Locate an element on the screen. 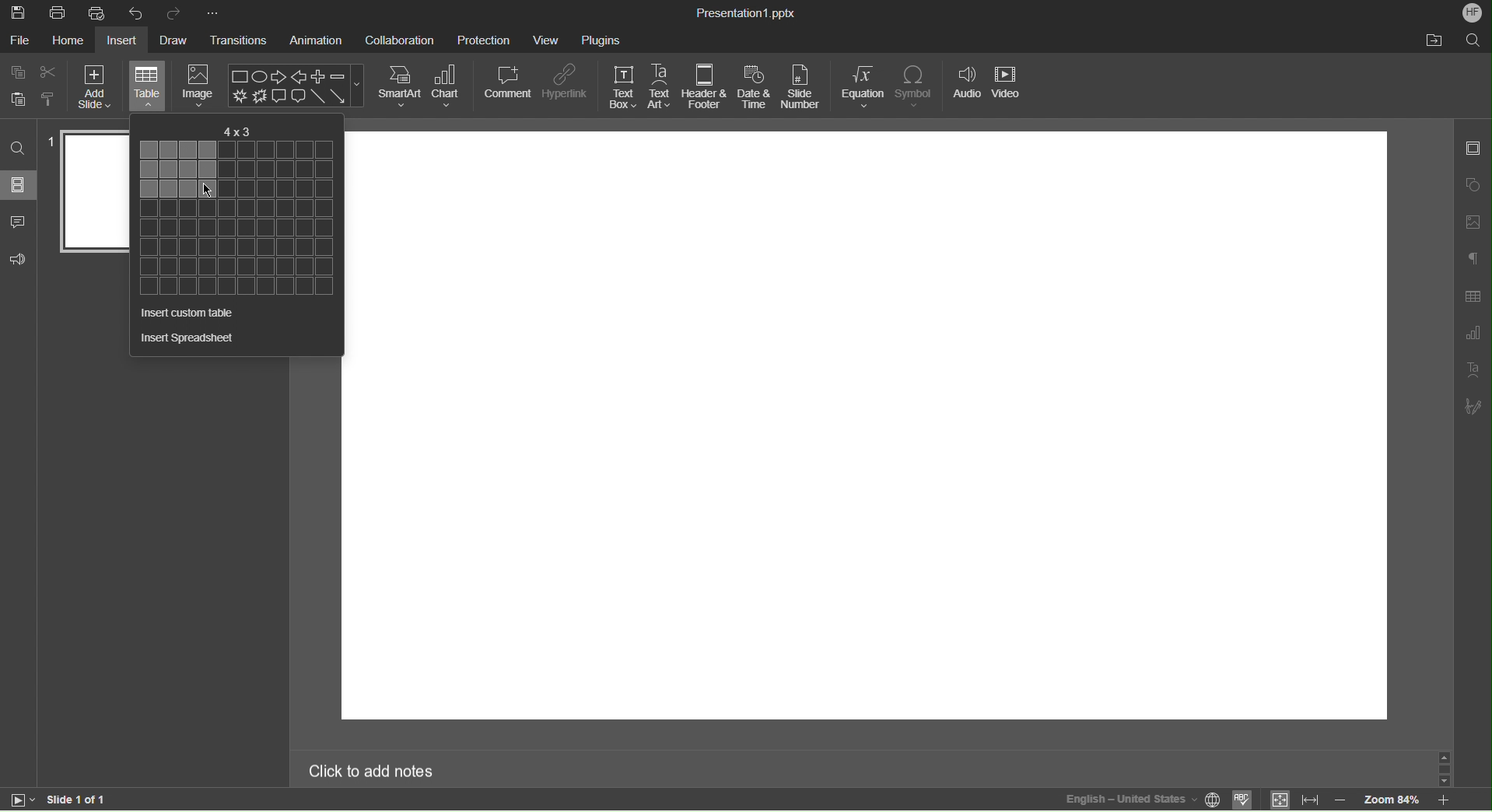  Redo is located at coordinates (179, 13).